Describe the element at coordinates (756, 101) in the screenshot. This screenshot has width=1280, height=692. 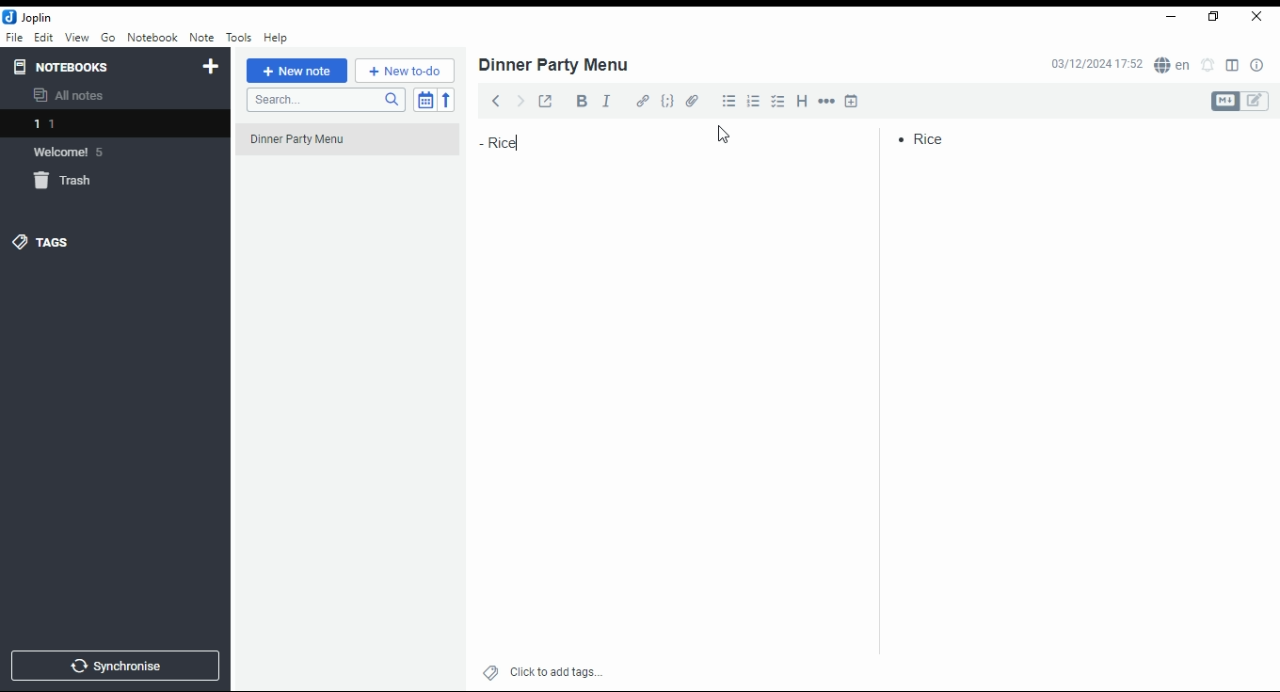
I see `numbered list` at that location.